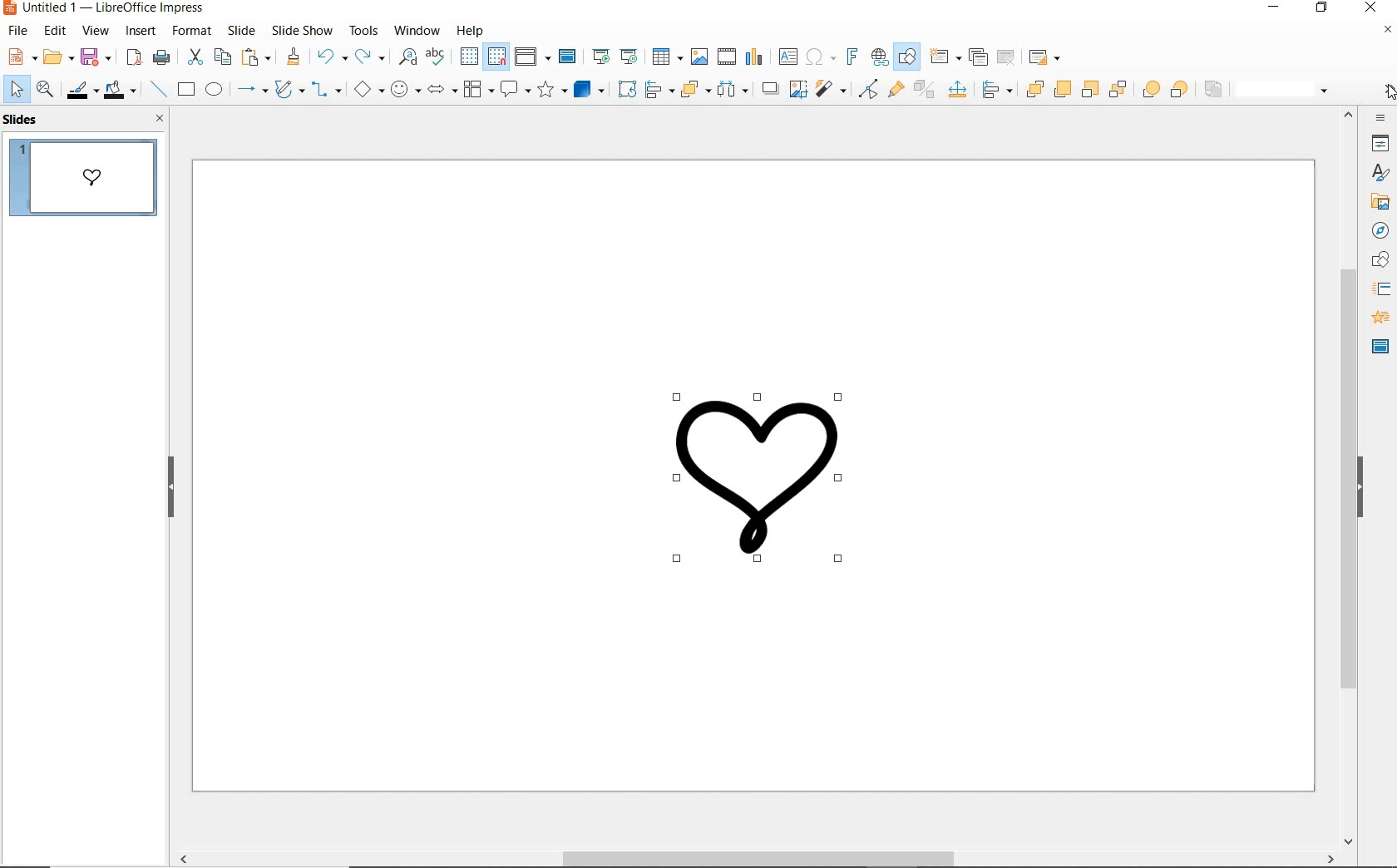 This screenshot has width=1397, height=868. Describe the element at coordinates (1381, 143) in the screenshot. I see `` at that location.